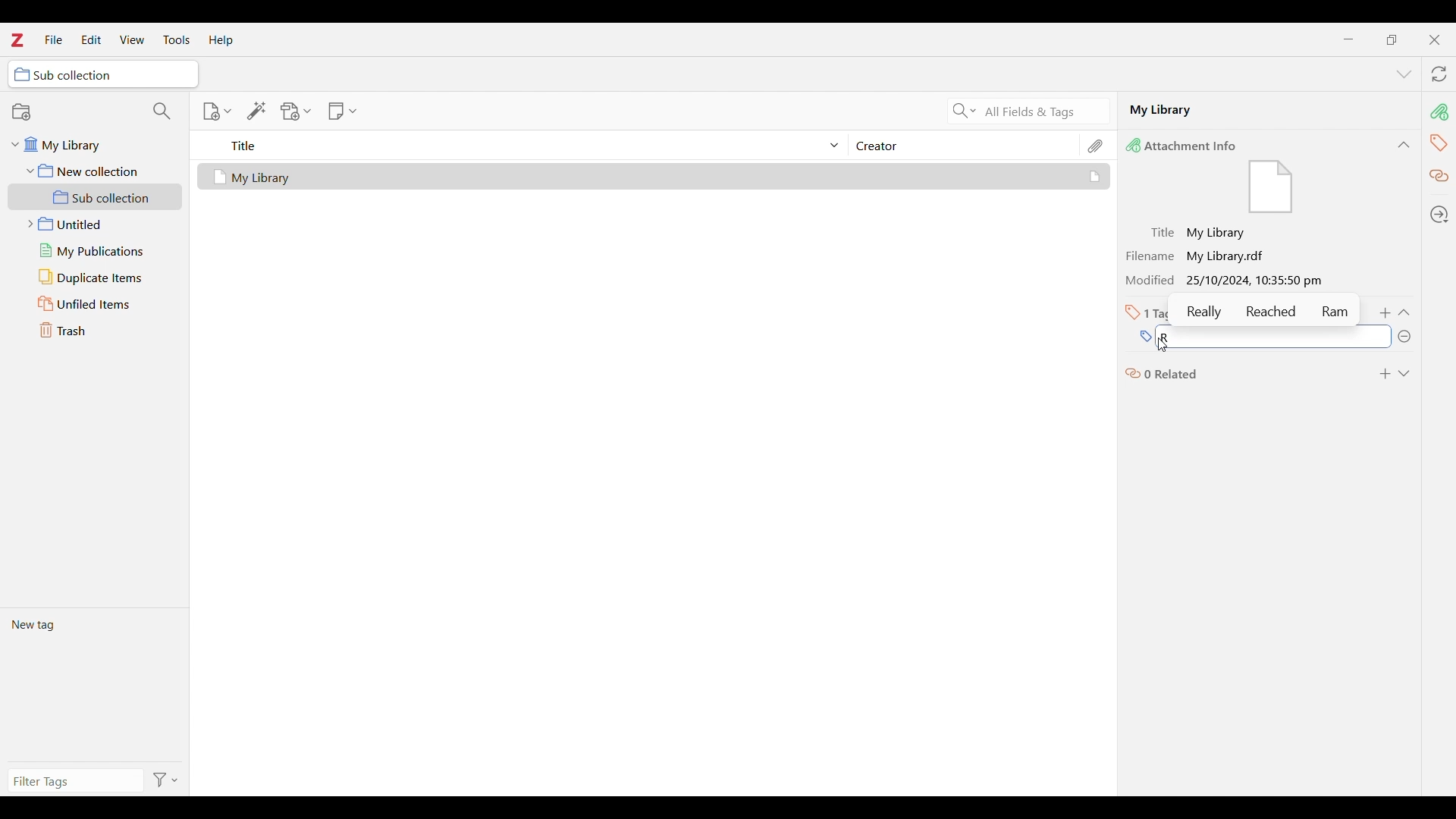  I want to click on Selected folder, so click(103, 74).